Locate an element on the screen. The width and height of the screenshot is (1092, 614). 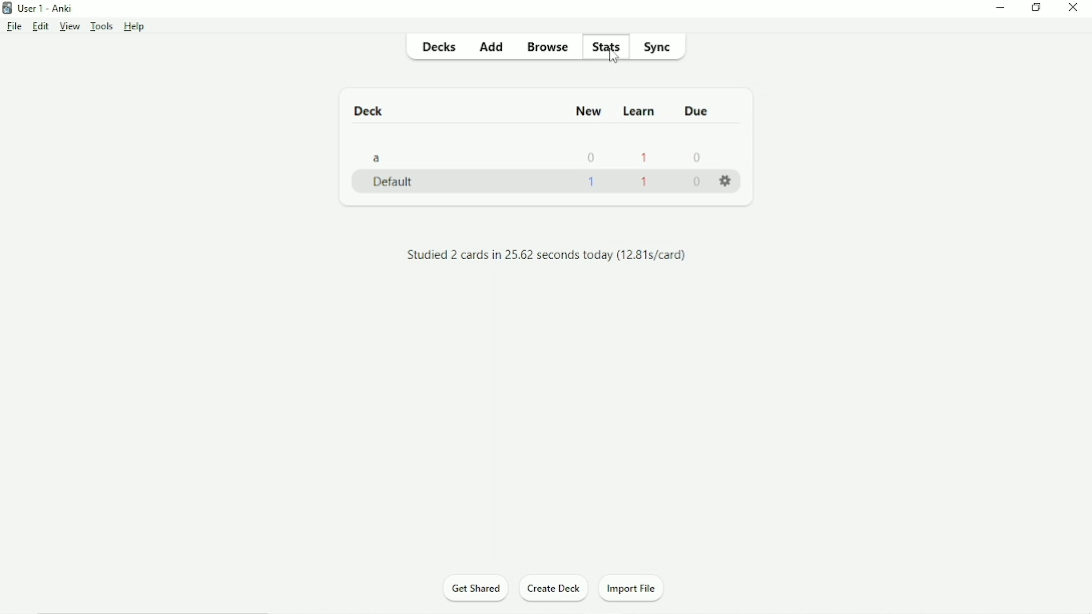
0 is located at coordinates (695, 183).